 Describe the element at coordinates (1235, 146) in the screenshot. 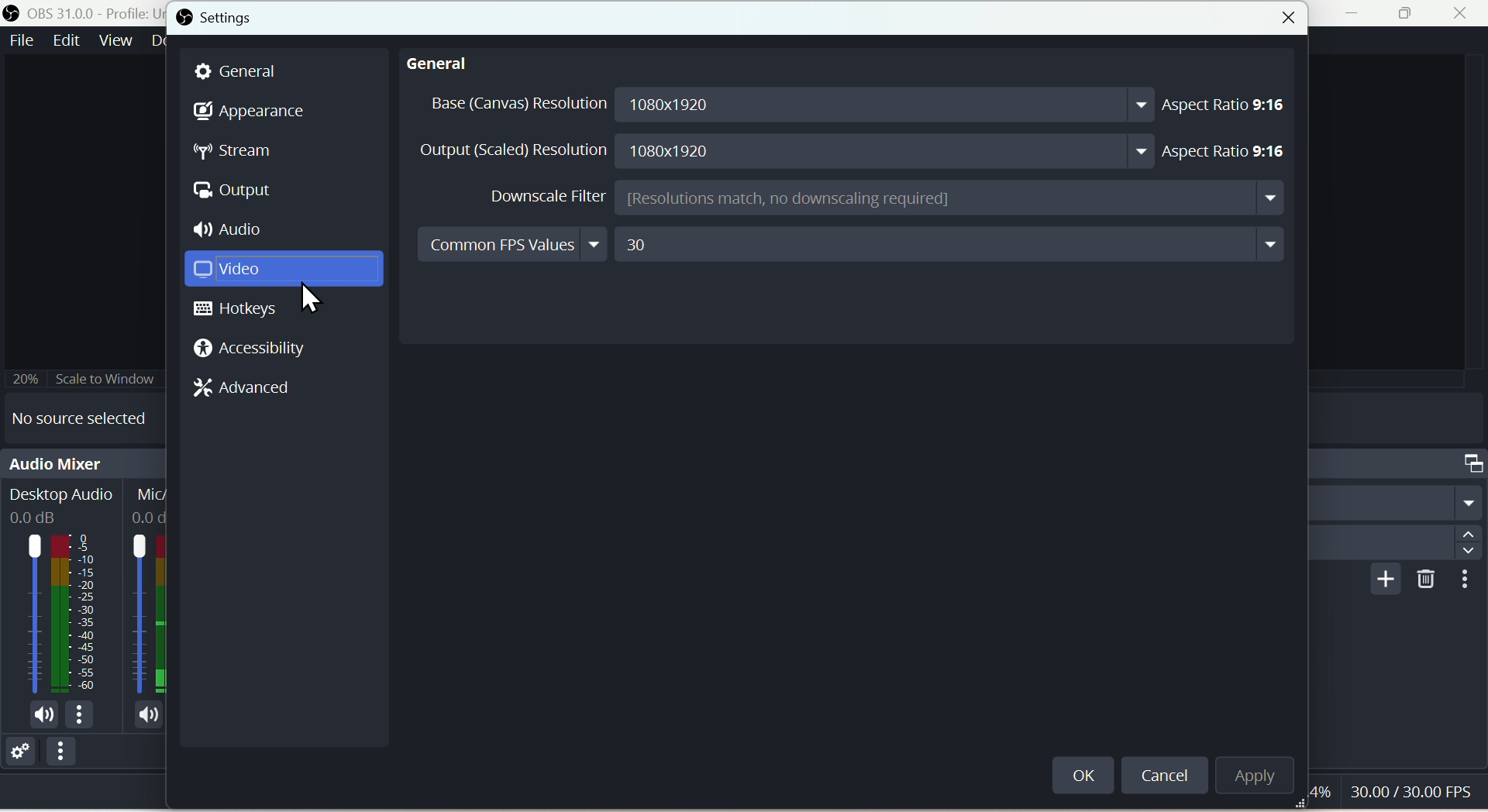

I see `Aspect ratio 9: 16` at that location.